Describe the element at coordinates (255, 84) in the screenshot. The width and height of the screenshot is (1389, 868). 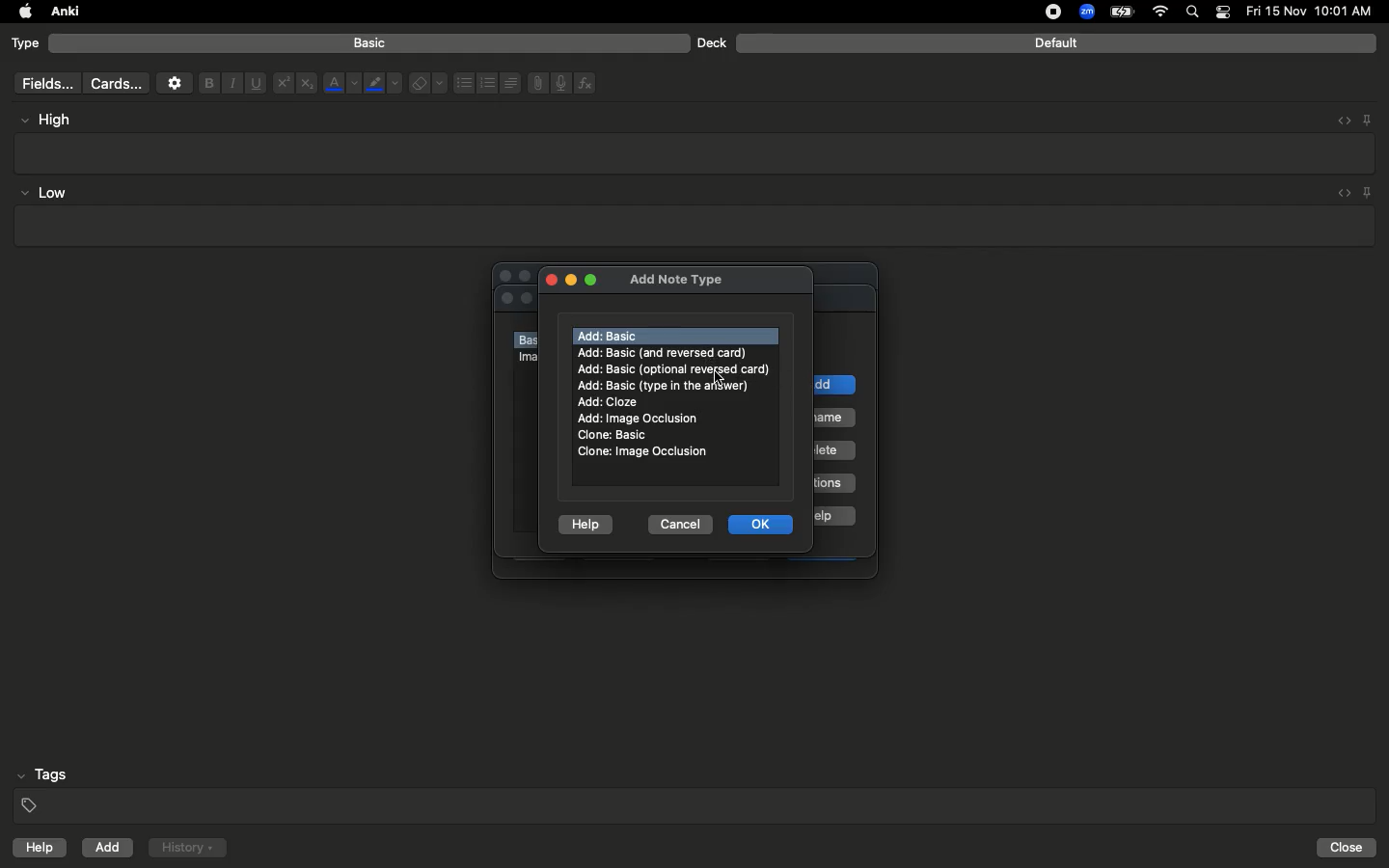
I see `Underline` at that location.